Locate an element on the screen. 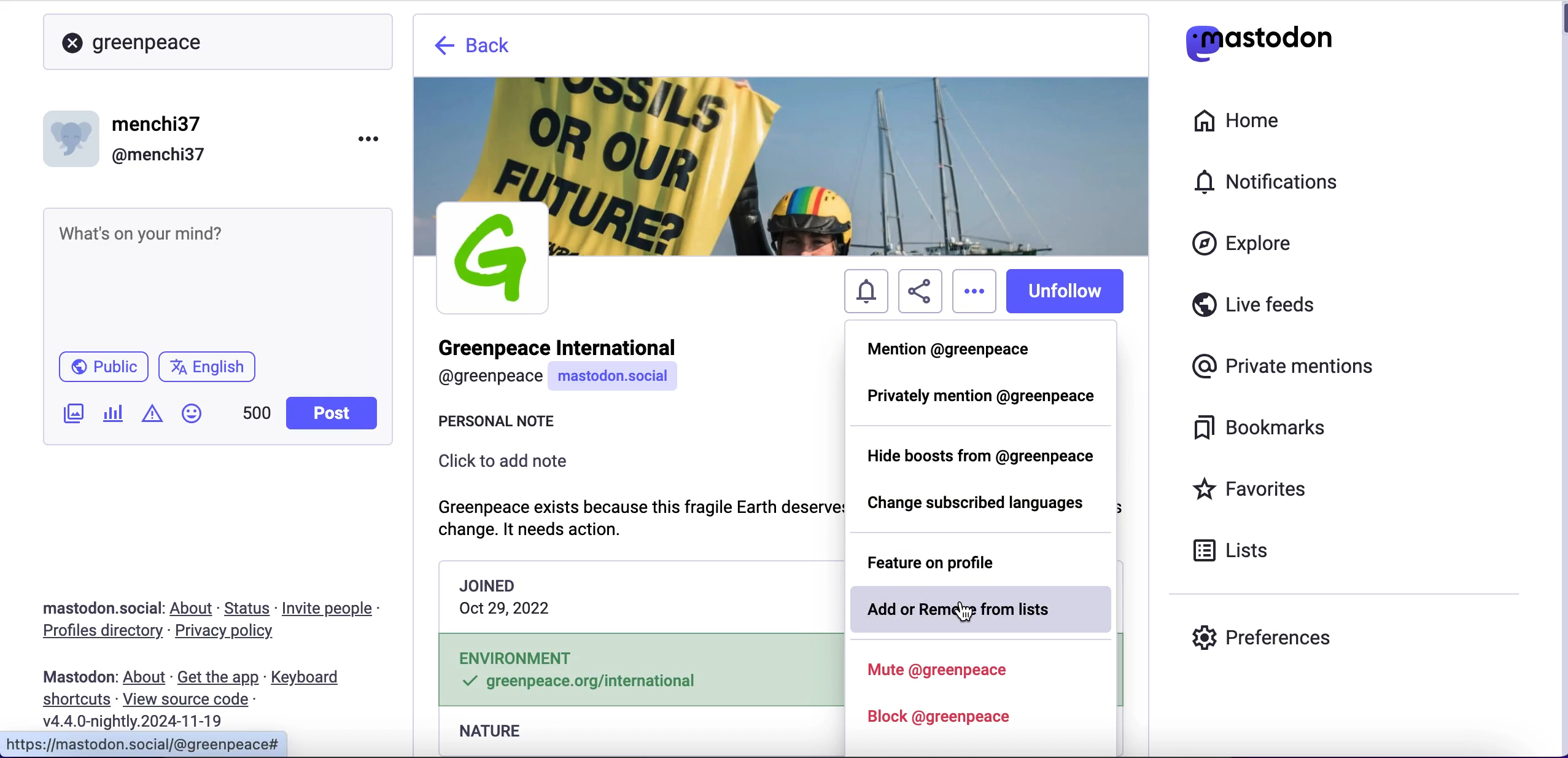 This screenshot has height=758, width=1568. characters is located at coordinates (257, 415).